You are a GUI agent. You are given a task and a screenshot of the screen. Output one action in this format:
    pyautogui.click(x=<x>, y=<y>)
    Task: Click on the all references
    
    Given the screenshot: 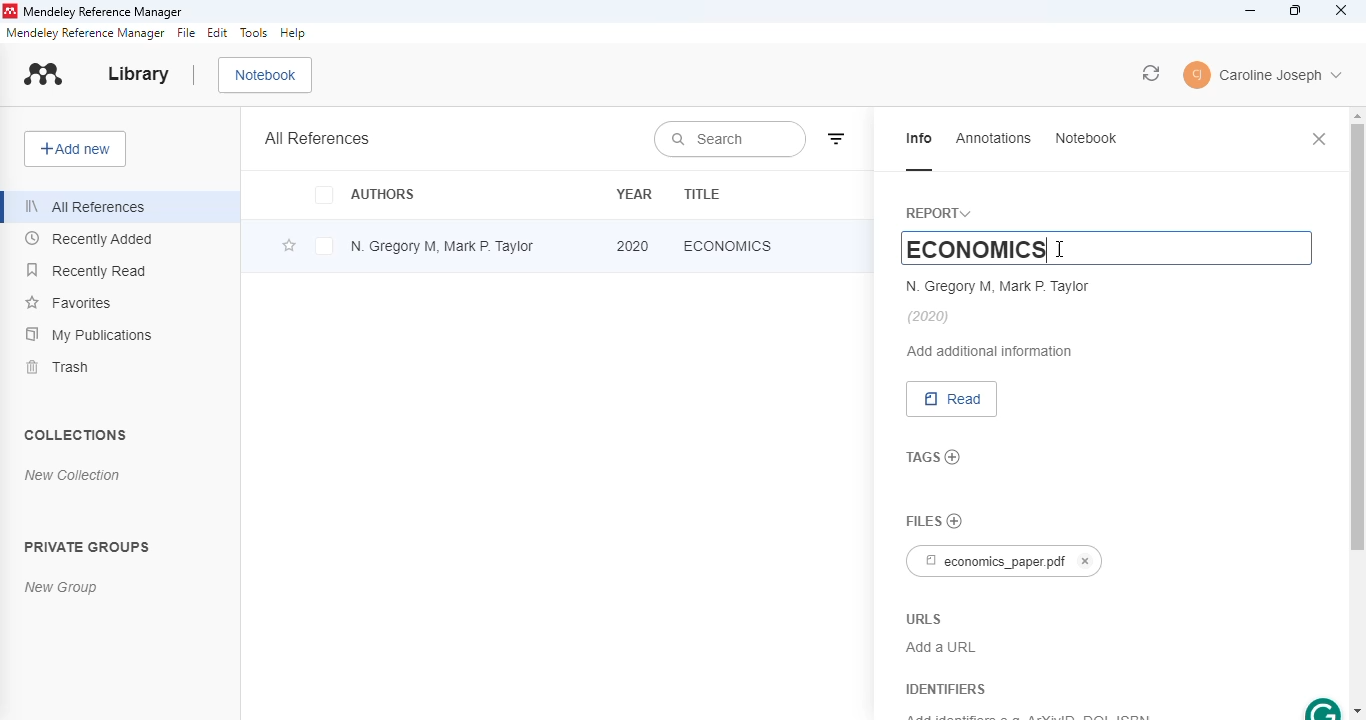 What is the action you would take?
    pyautogui.click(x=317, y=137)
    